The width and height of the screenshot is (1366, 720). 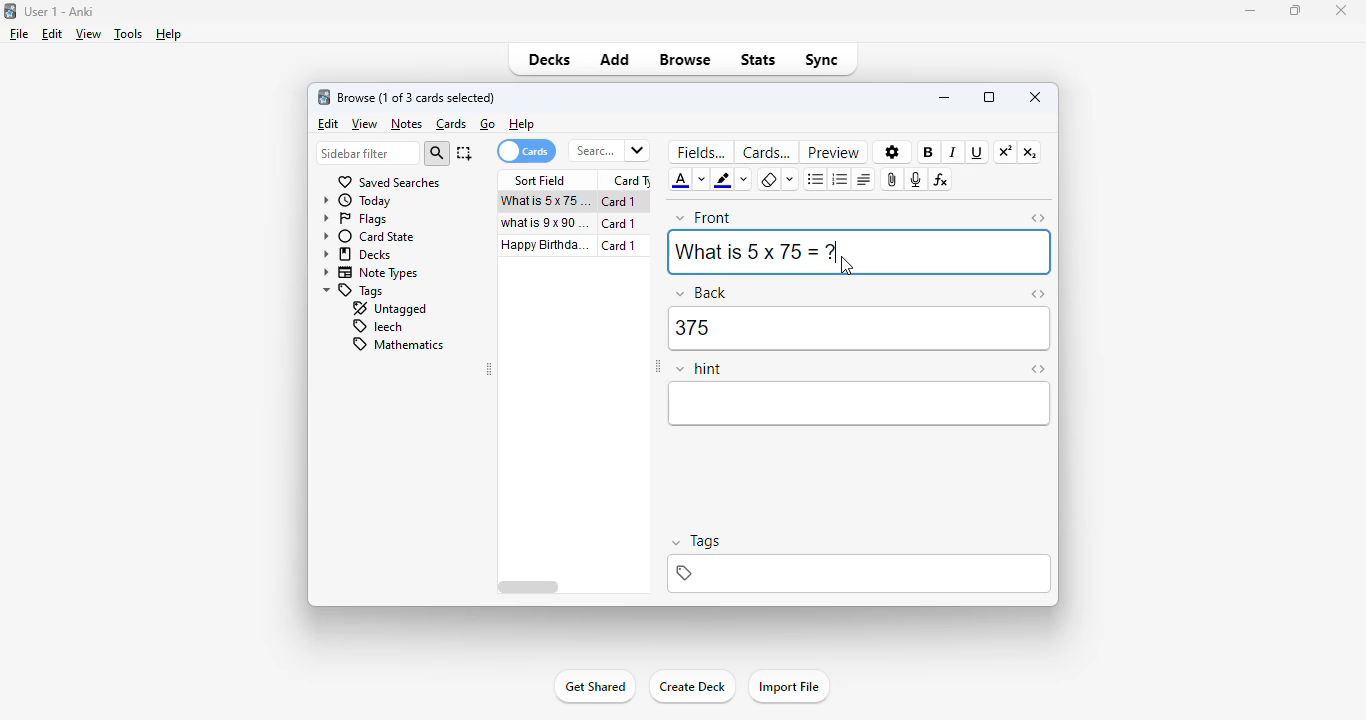 What do you see at coordinates (864, 180) in the screenshot?
I see `alignment` at bounding box center [864, 180].